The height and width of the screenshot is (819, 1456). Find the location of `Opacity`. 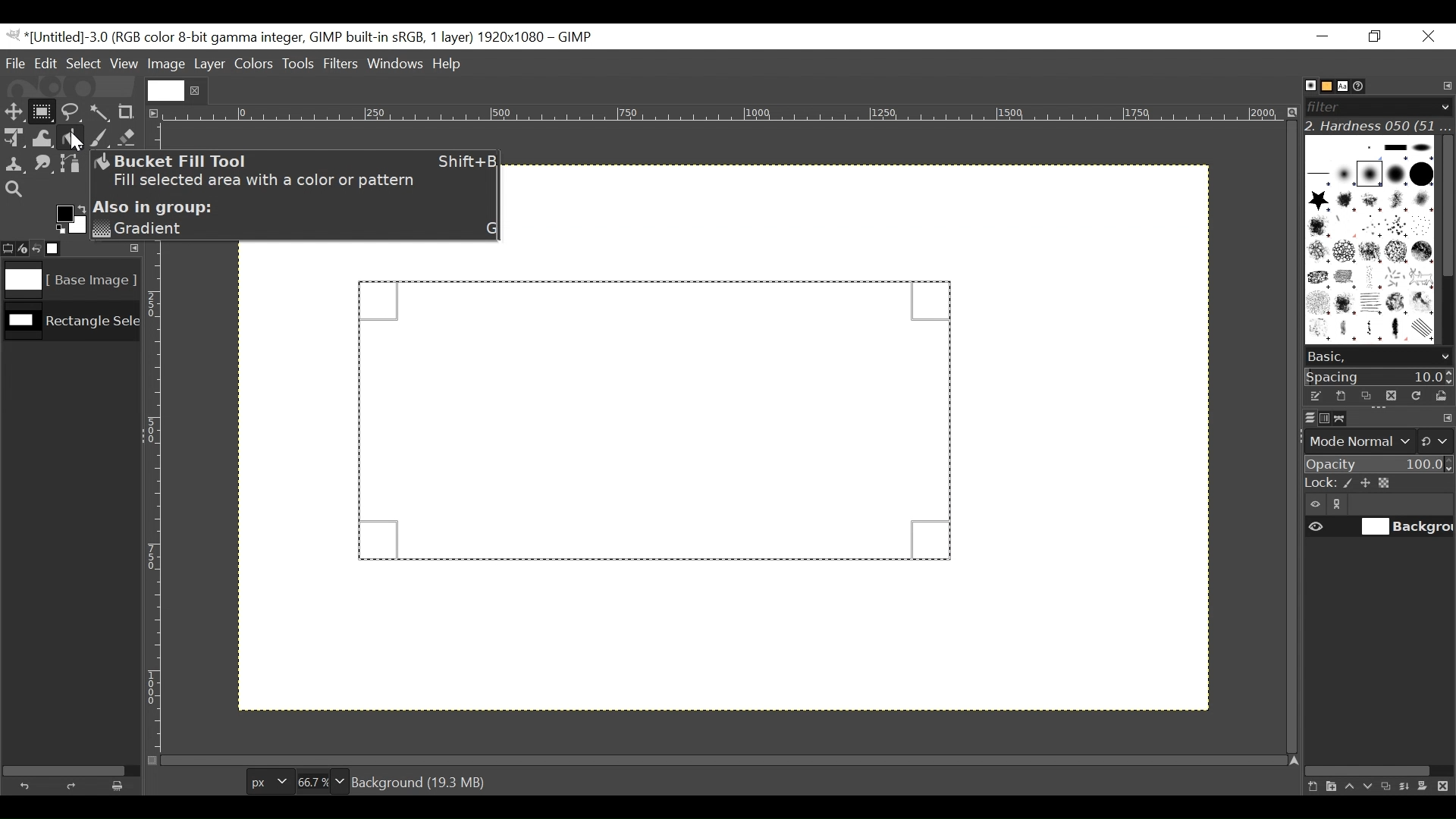

Opacity is located at coordinates (1377, 465).